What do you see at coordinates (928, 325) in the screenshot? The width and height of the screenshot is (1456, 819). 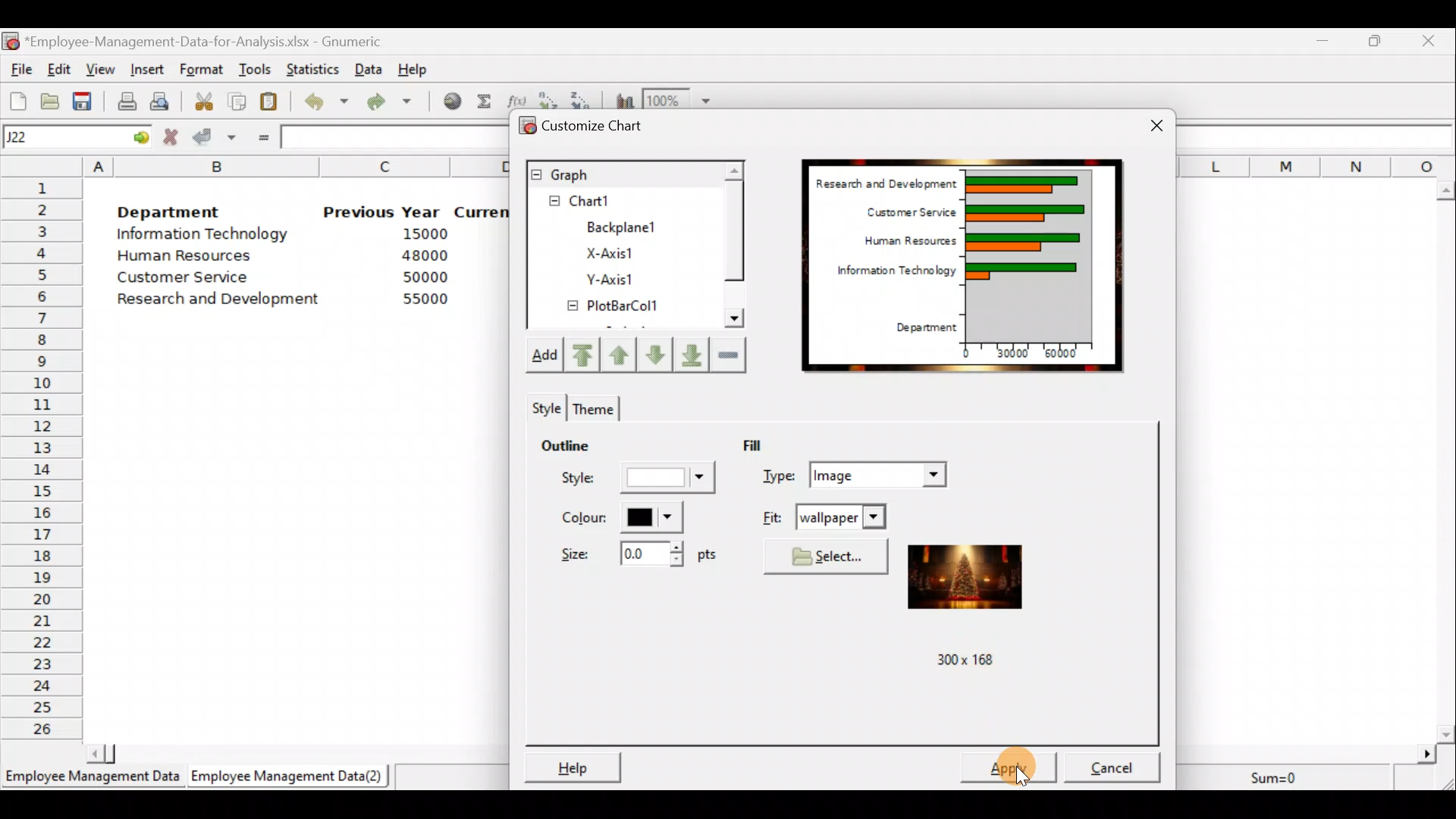 I see `Department` at bounding box center [928, 325].